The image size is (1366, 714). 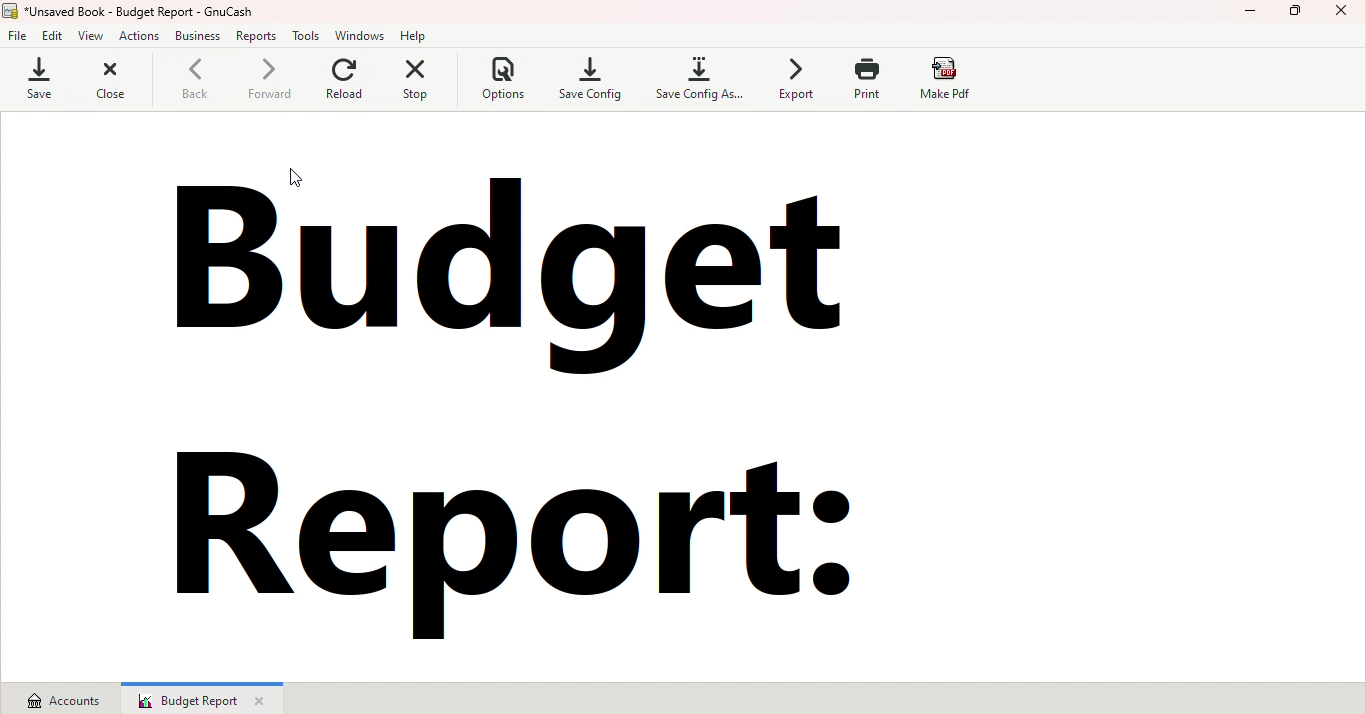 What do you see at coordinates (55, 700) in the screenshot?
I see `Accounts` at bounding box center [55, 700].